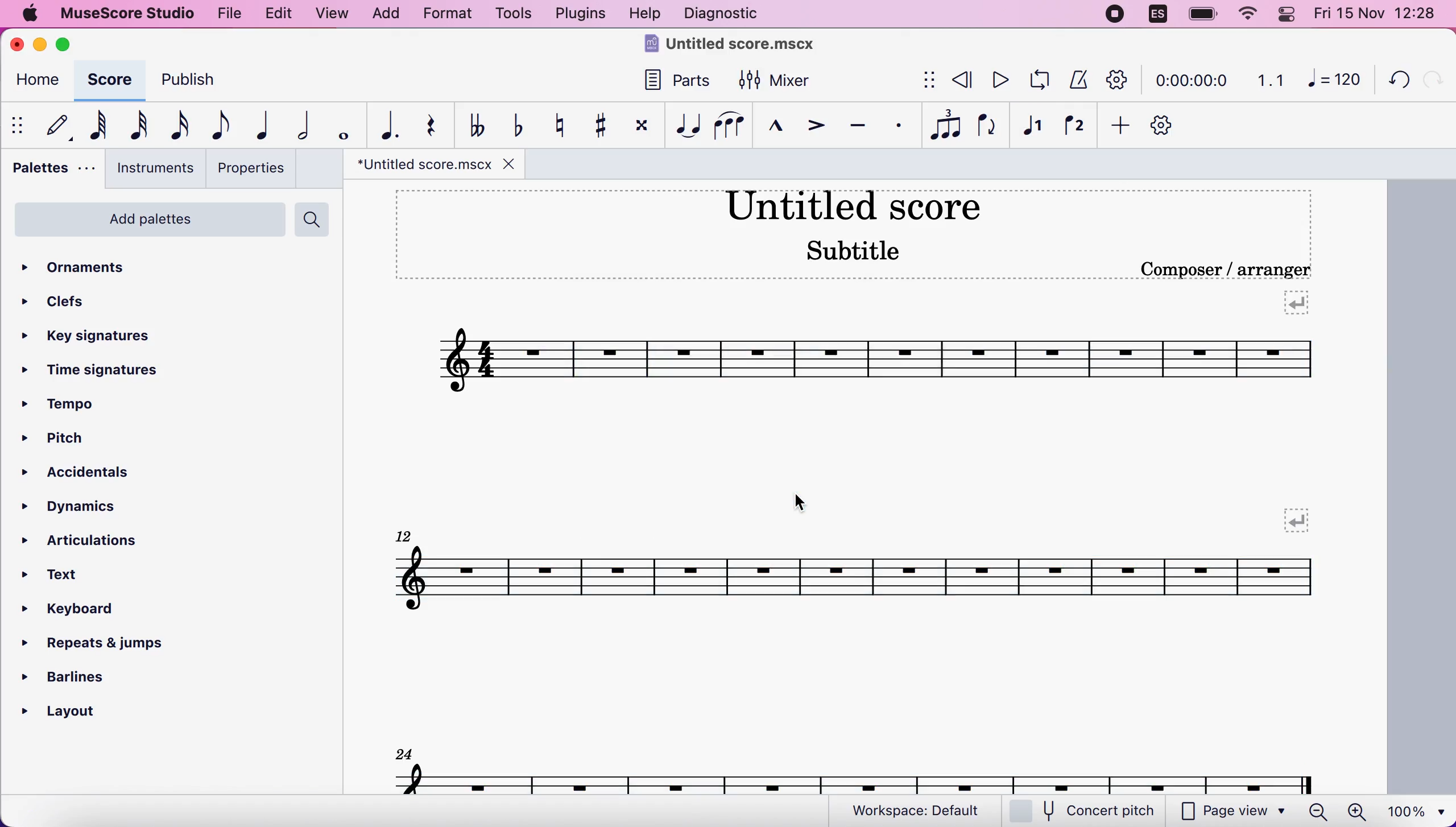  I want to click on playback loop, so click(1036, 80).